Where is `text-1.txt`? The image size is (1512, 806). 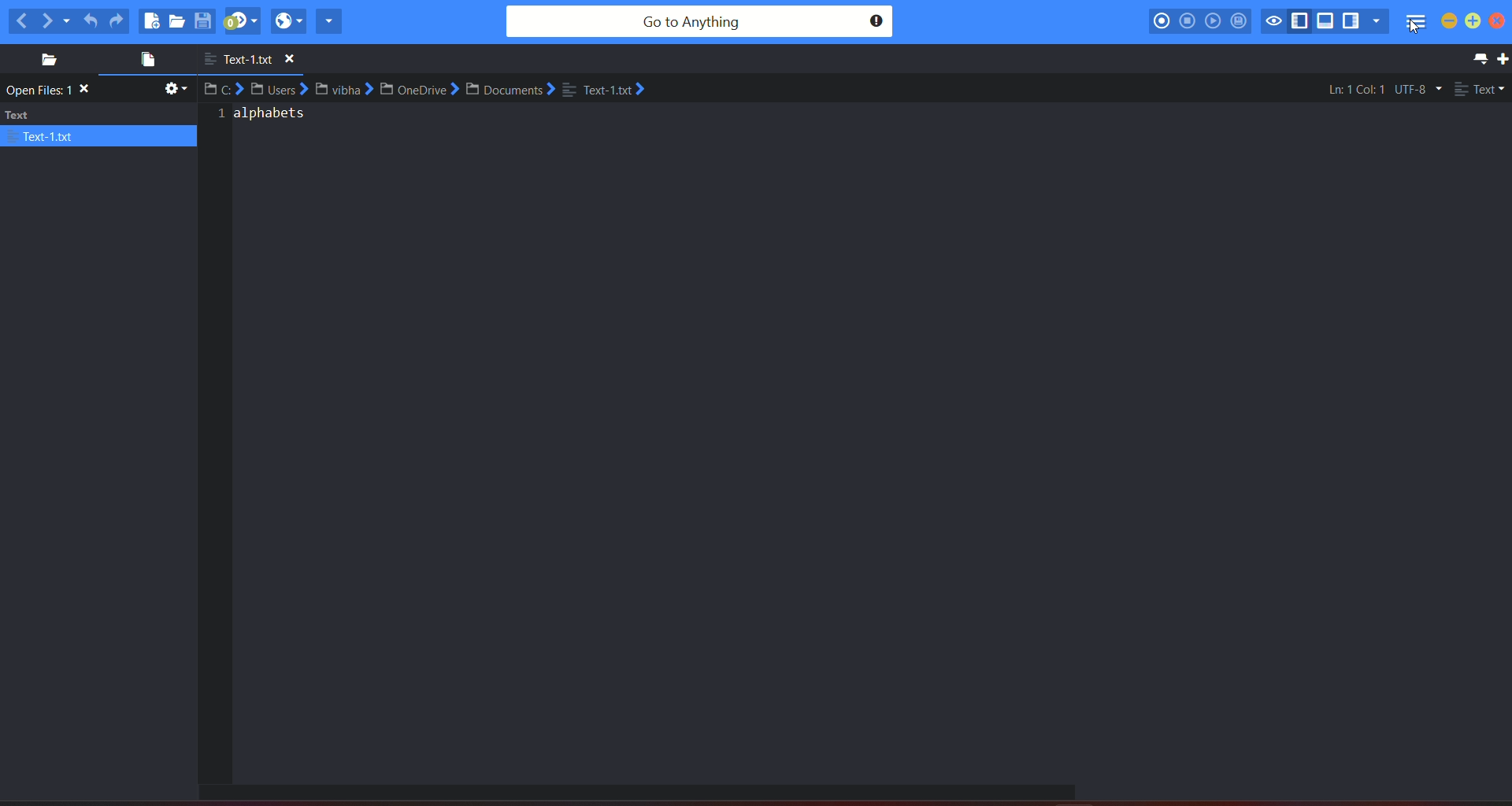 text-1.txt is located at coordinates (256, 60).